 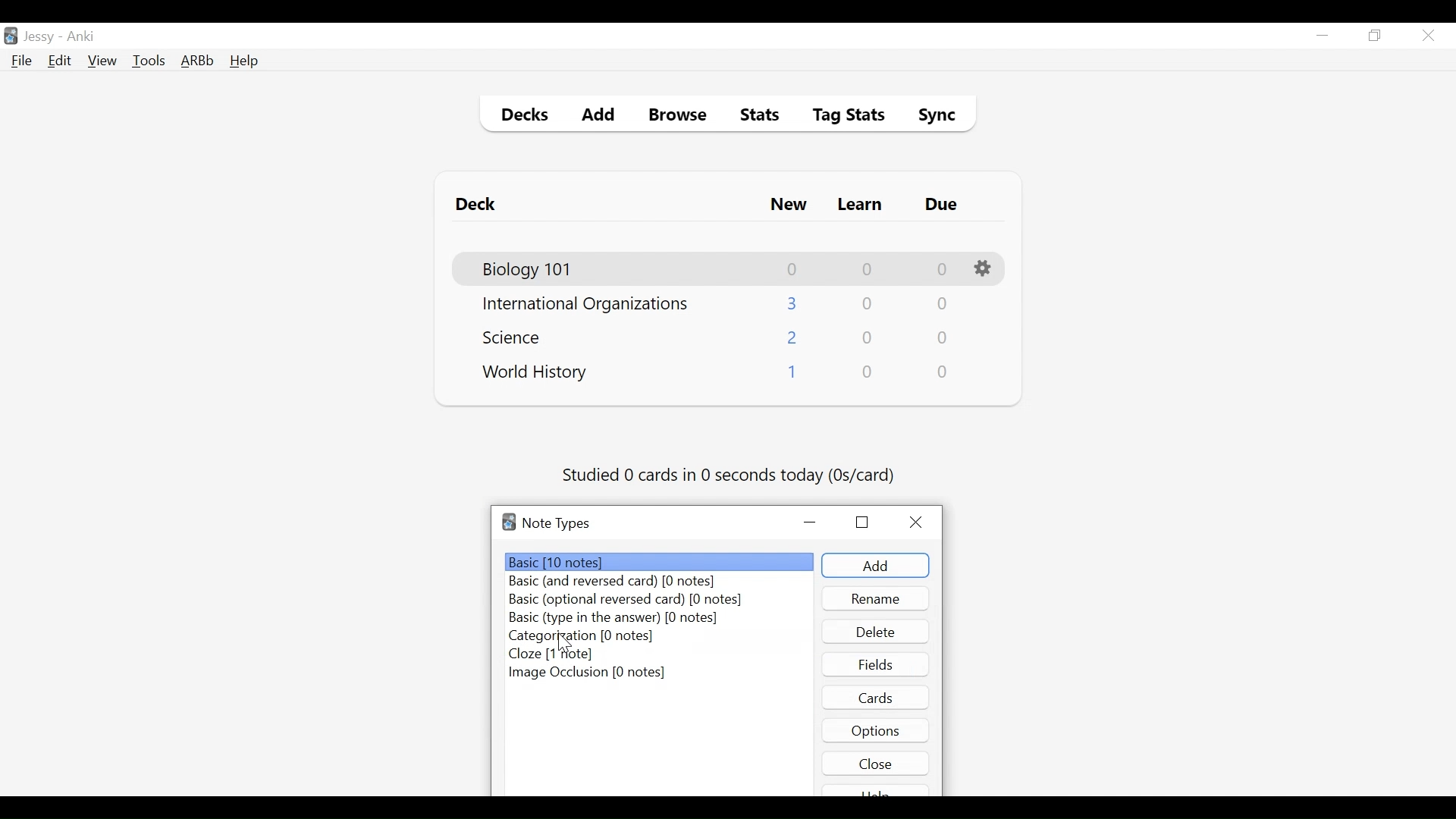 I want to click on Deck Name, so click(x=535, y=373).